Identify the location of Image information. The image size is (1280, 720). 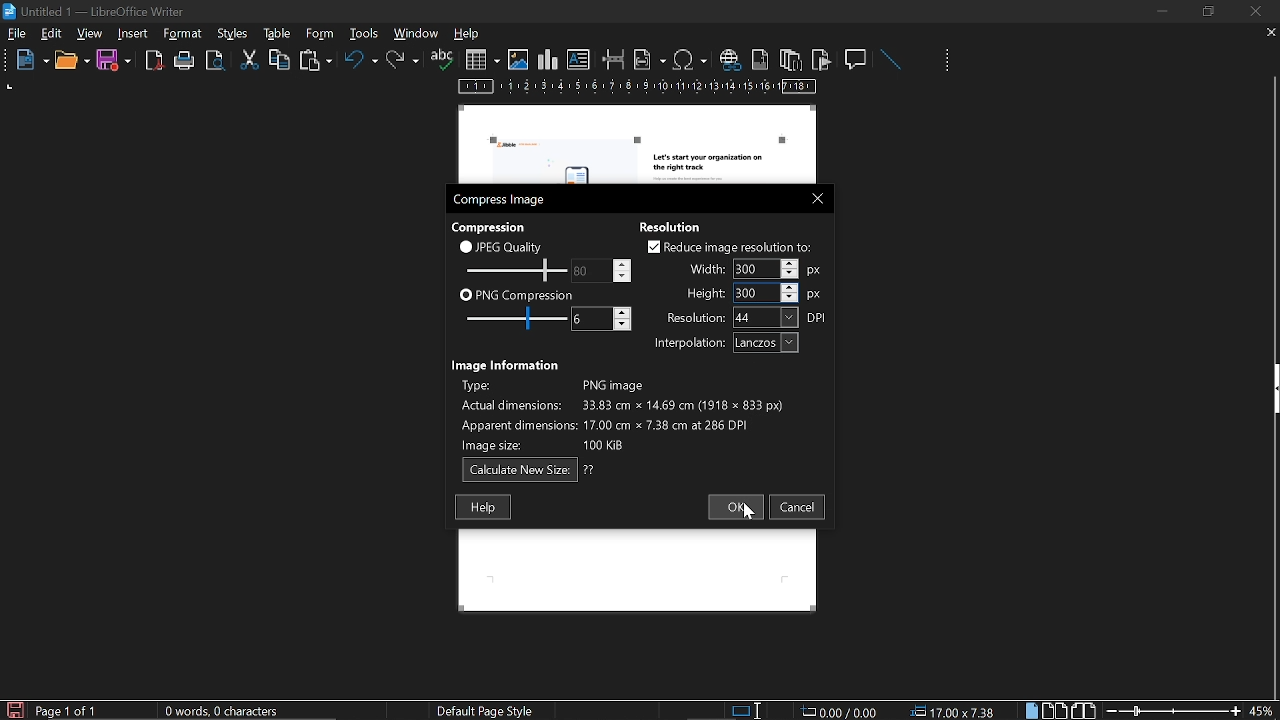
(508, 363).